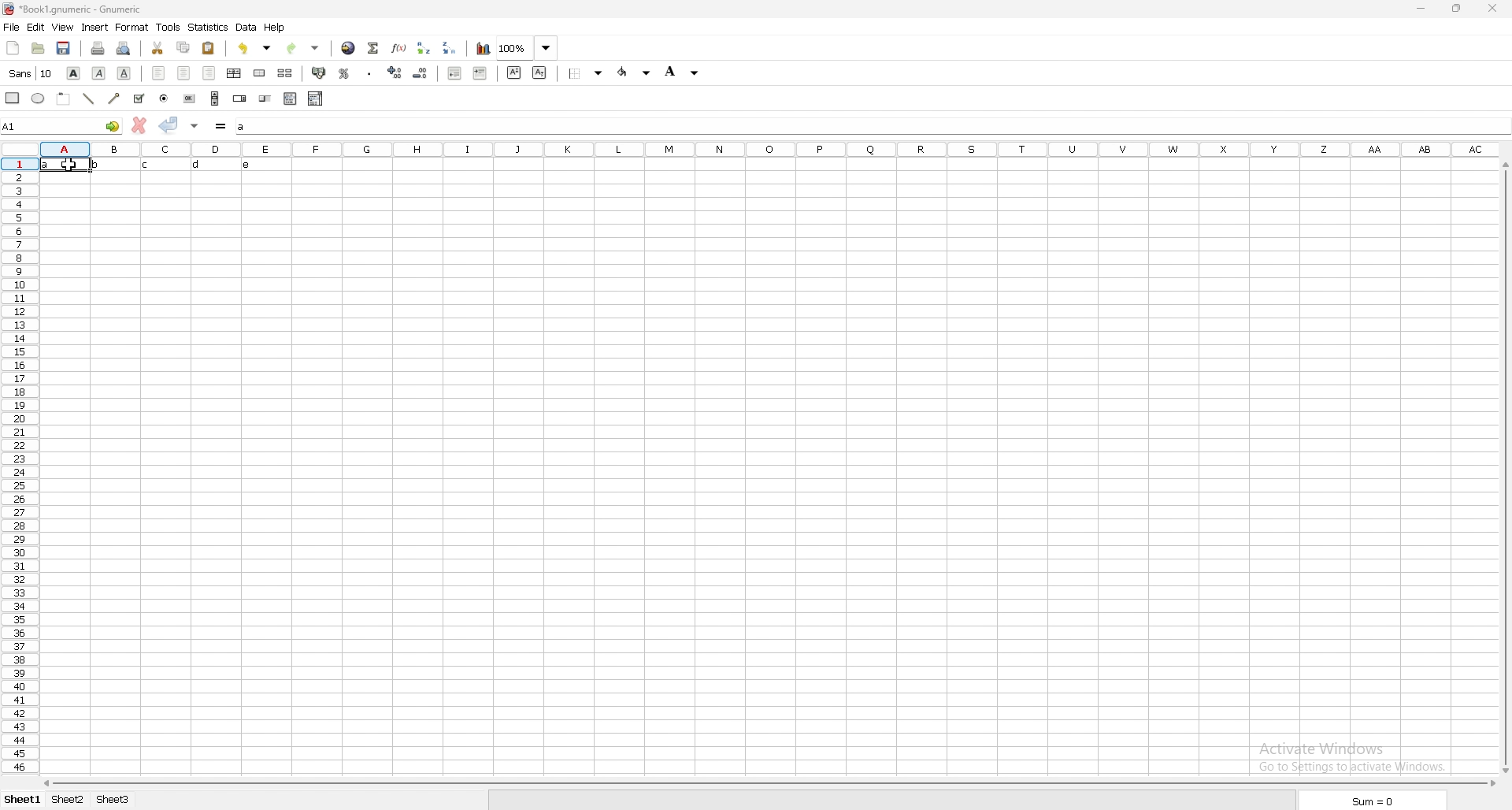 Image resolution: width=1512 pixels, height=810 pixels. What do you see at coordinates (1421, 9) in the screenshot?
I see `minimize` at bounding box center [1421, 9].